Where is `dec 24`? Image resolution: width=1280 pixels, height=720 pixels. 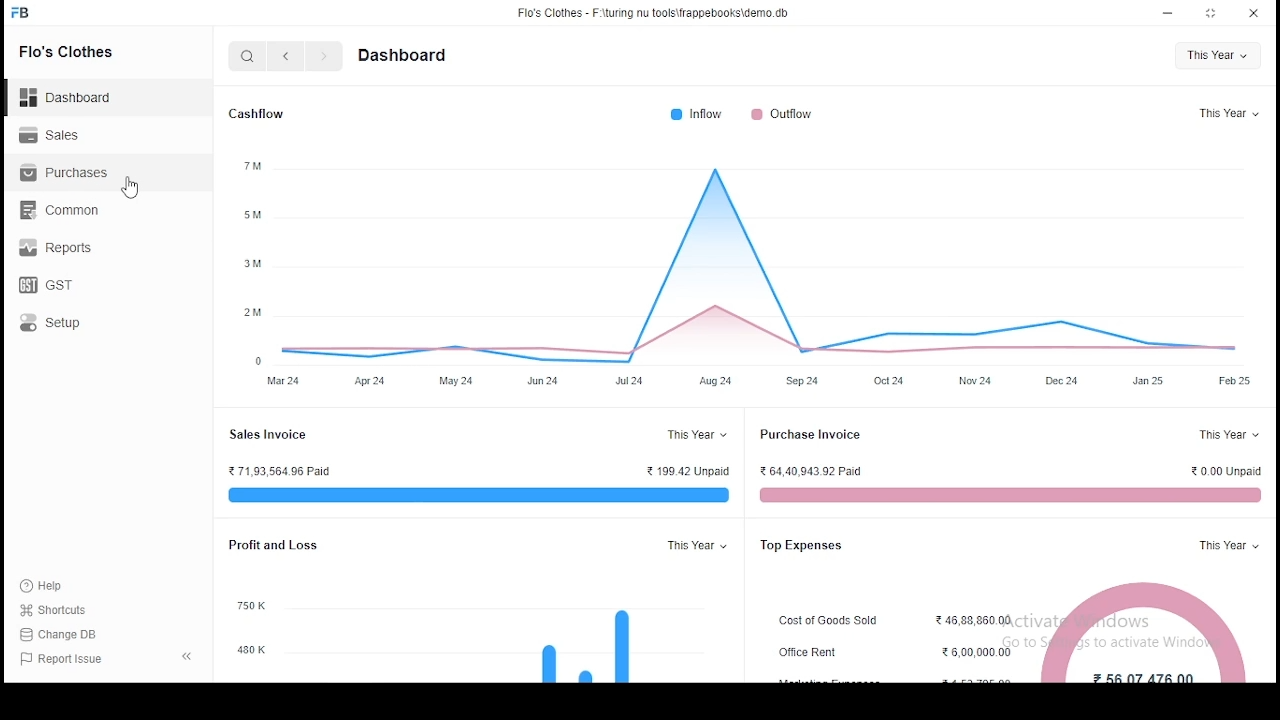 dec 24 is located at coordinates (1060, 383).